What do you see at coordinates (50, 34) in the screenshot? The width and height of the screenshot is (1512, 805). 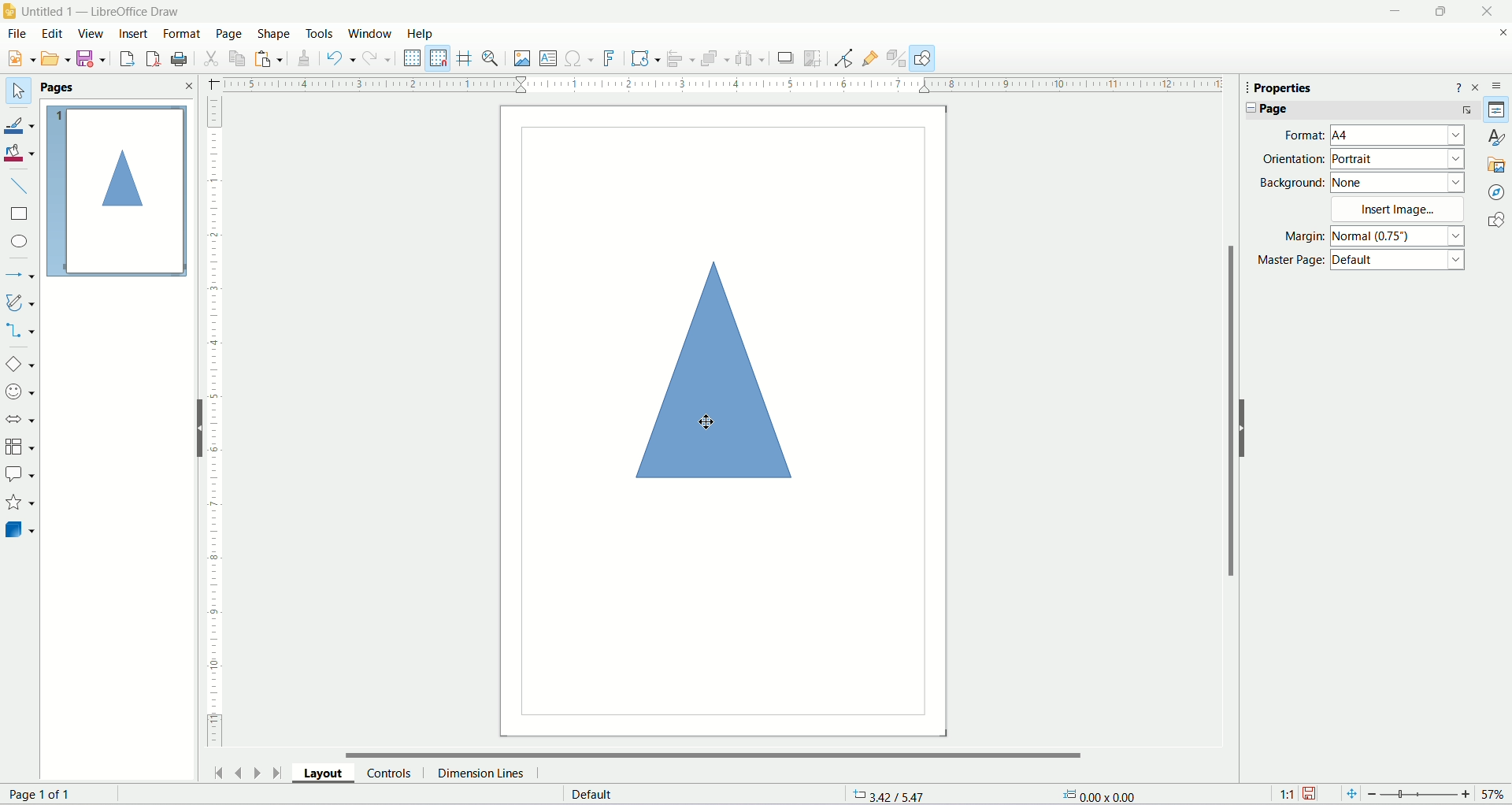 I see `Edit` at bounding box center [50, 34].